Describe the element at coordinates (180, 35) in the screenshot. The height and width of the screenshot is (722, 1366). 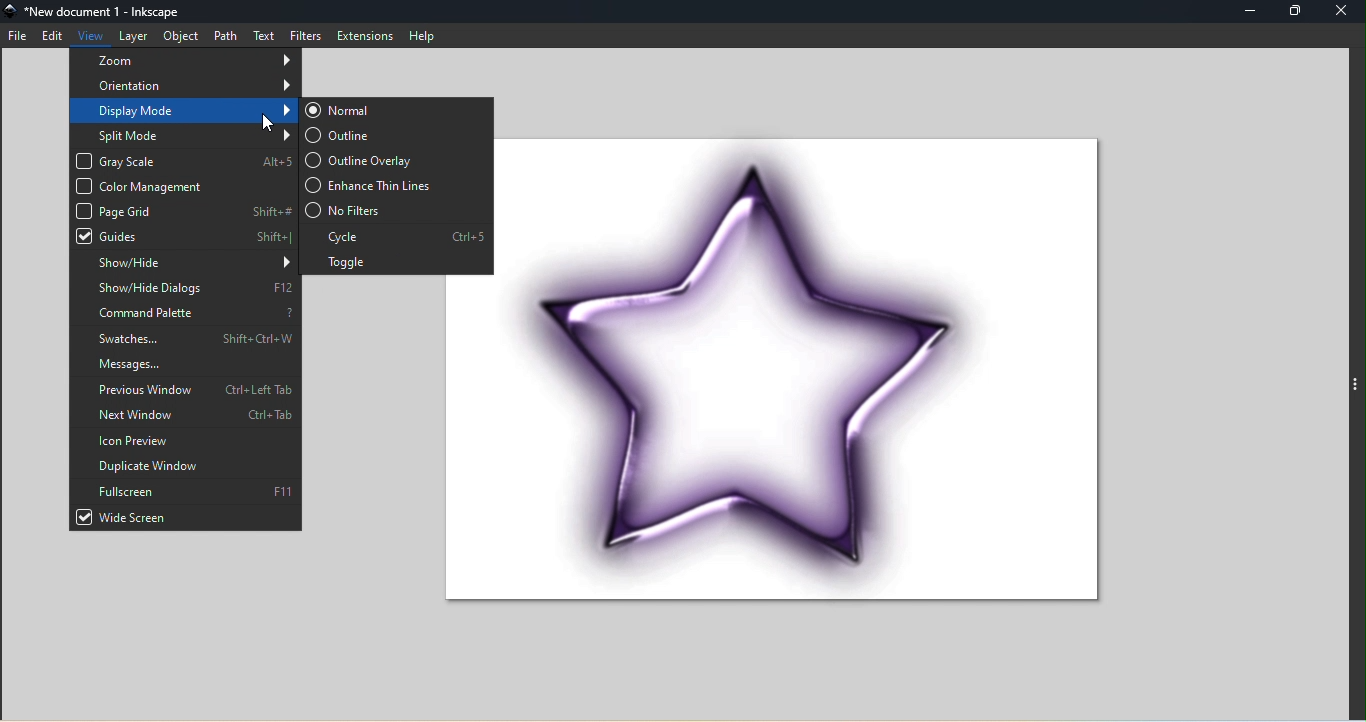
I see `Object` at that location.